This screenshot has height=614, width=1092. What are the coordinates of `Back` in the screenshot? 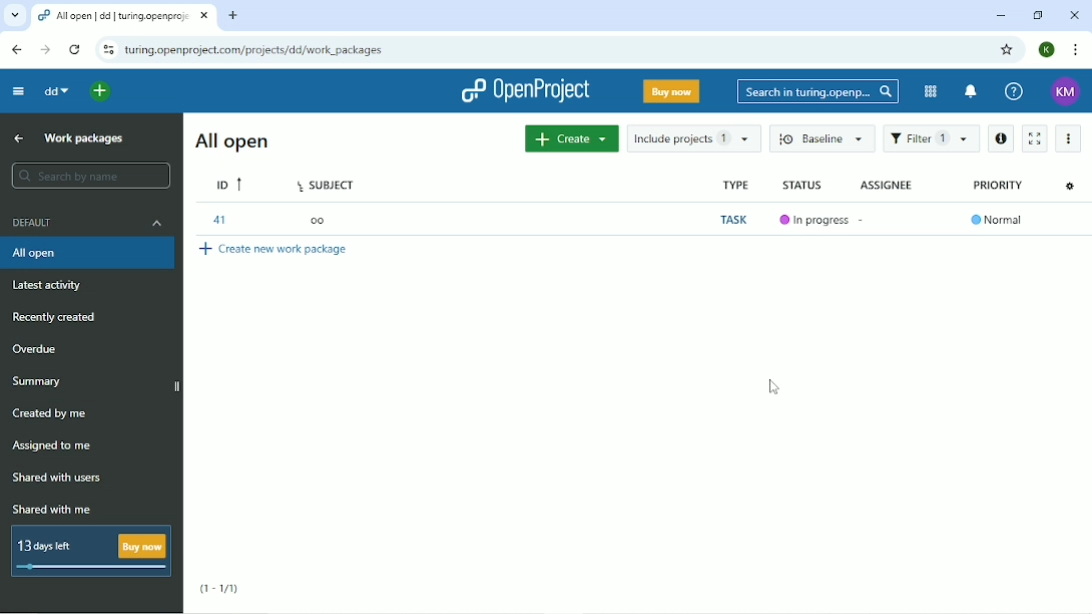 It's located at (16, 49).